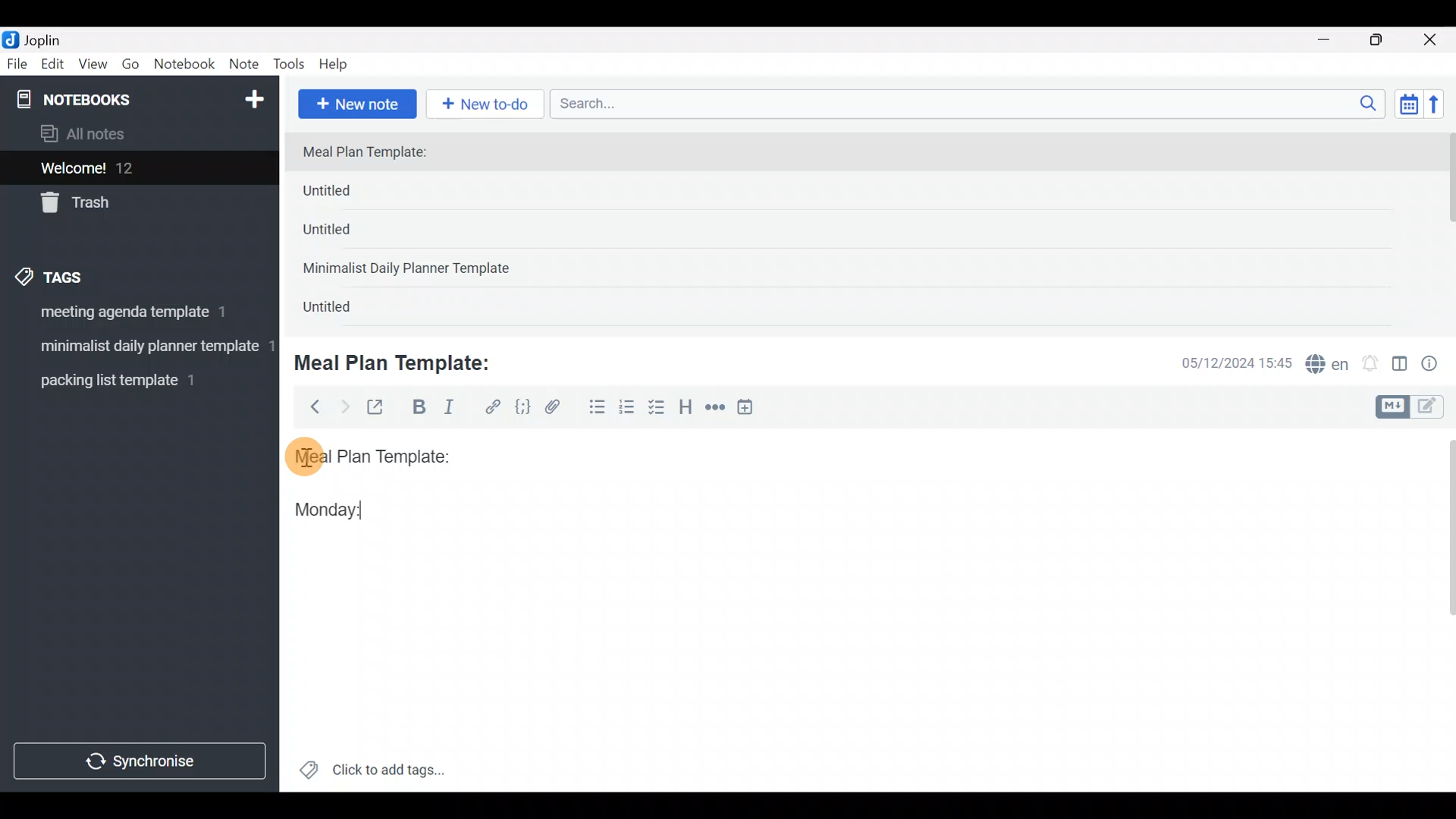 This screenshot has width=1456, height=819. I want to click on Scroll bar, so click(1440, 610).